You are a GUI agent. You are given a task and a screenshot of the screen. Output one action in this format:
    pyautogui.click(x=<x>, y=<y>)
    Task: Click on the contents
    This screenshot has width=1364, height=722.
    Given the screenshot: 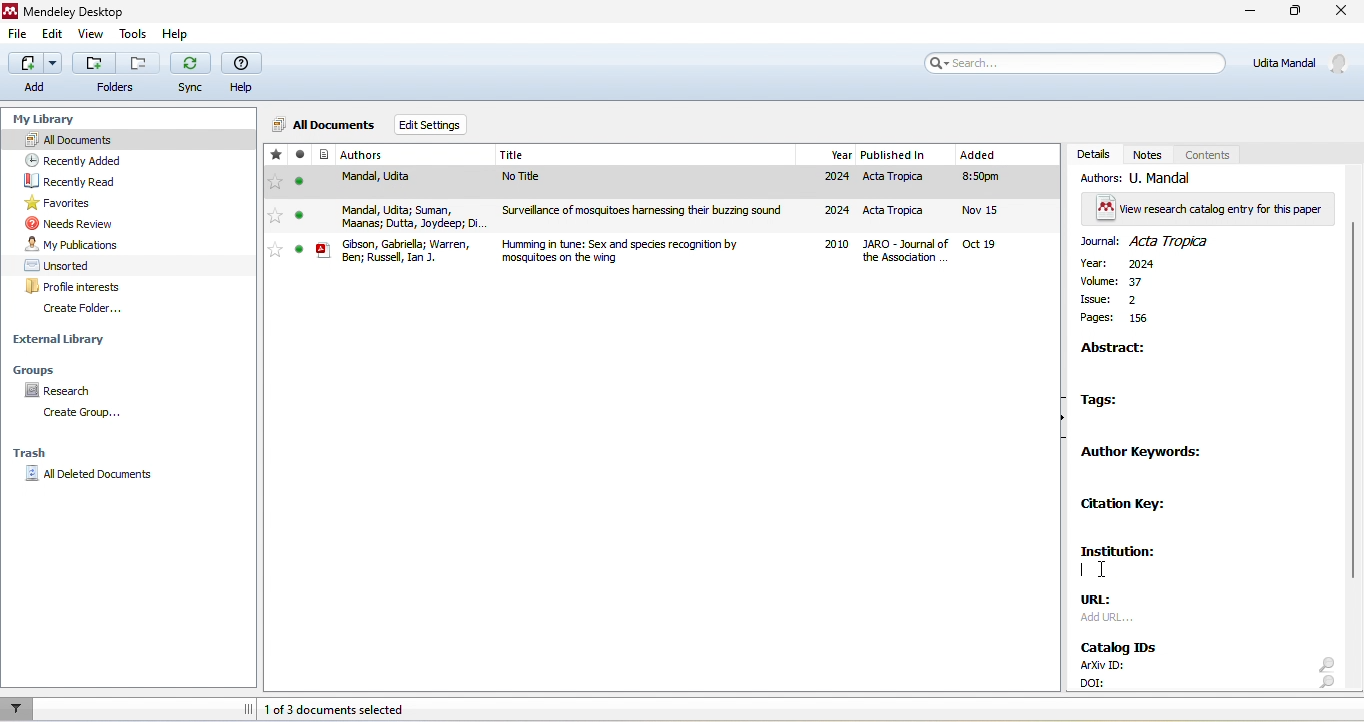 What is the action you would take?
    pyautogui.click(x=1208, y=153)
    